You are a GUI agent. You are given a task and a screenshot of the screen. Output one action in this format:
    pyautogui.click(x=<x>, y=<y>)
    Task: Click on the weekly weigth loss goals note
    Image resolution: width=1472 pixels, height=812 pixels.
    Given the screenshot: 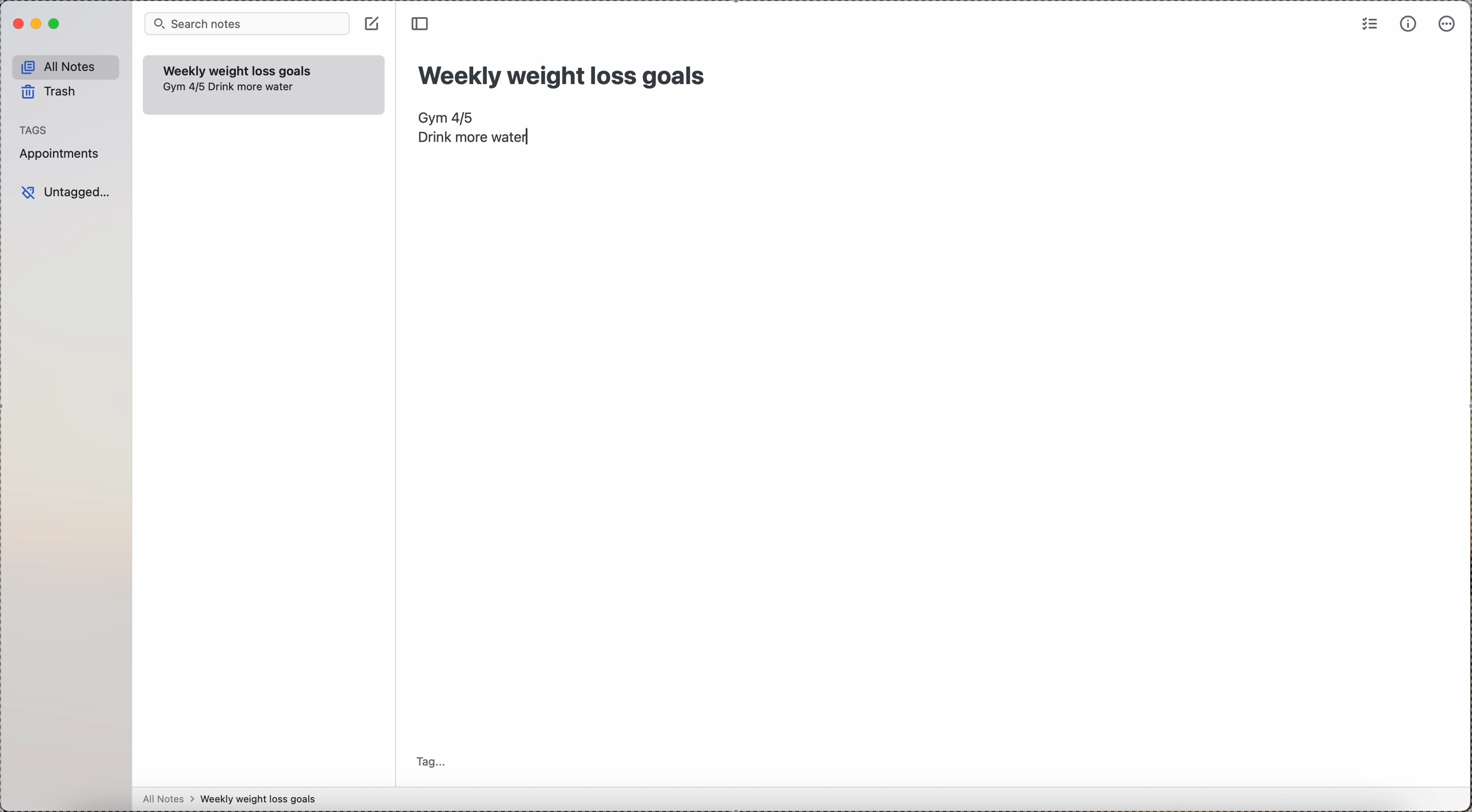 What is the action you would take?
    pyautogui.click(x=238, y=69)
    